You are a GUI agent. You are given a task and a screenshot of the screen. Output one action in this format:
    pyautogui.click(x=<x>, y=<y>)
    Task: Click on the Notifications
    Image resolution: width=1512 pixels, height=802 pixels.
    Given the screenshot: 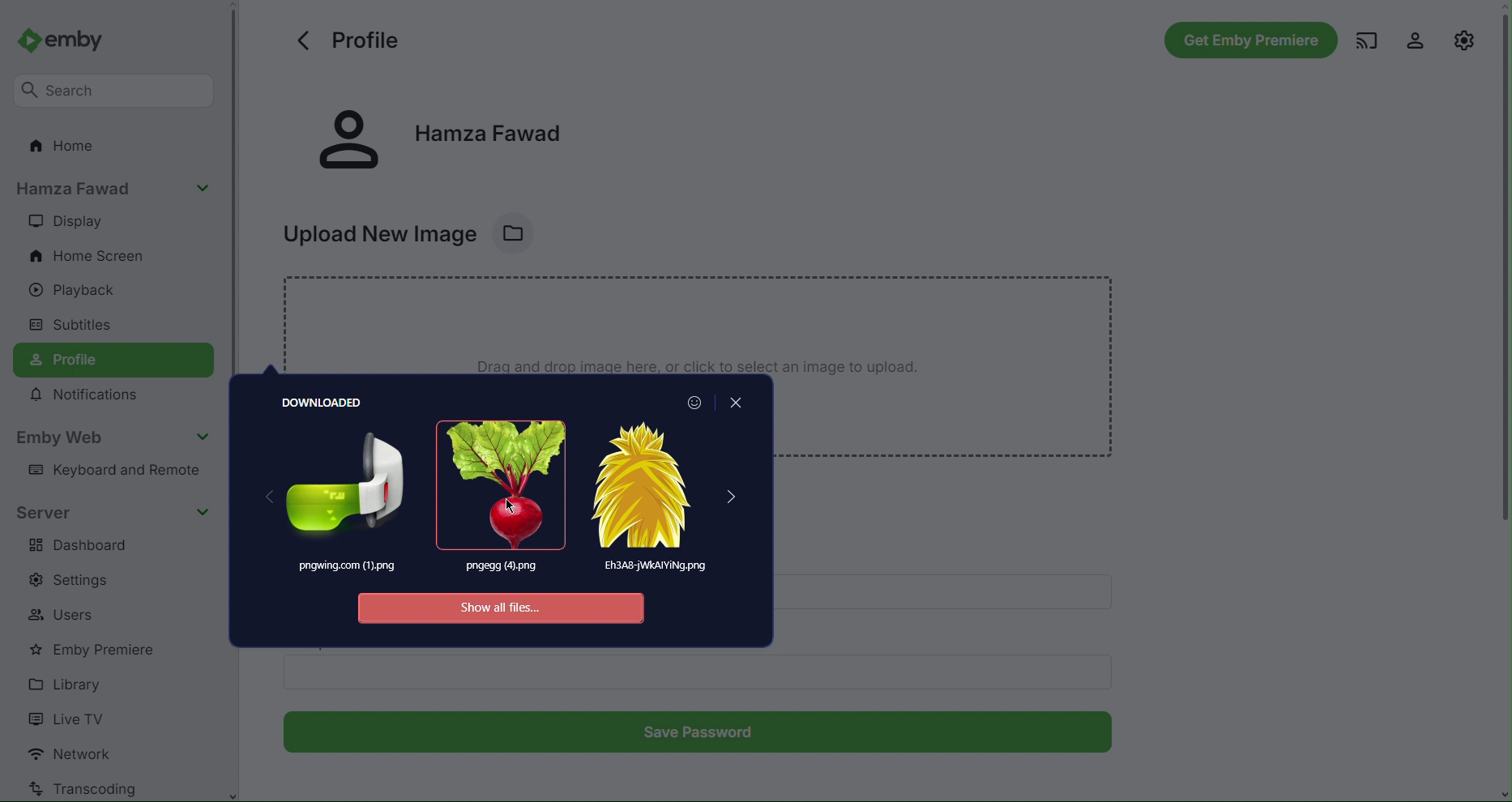 What is the action you would take?
    pyautogui.click(x=91, y=396)
    